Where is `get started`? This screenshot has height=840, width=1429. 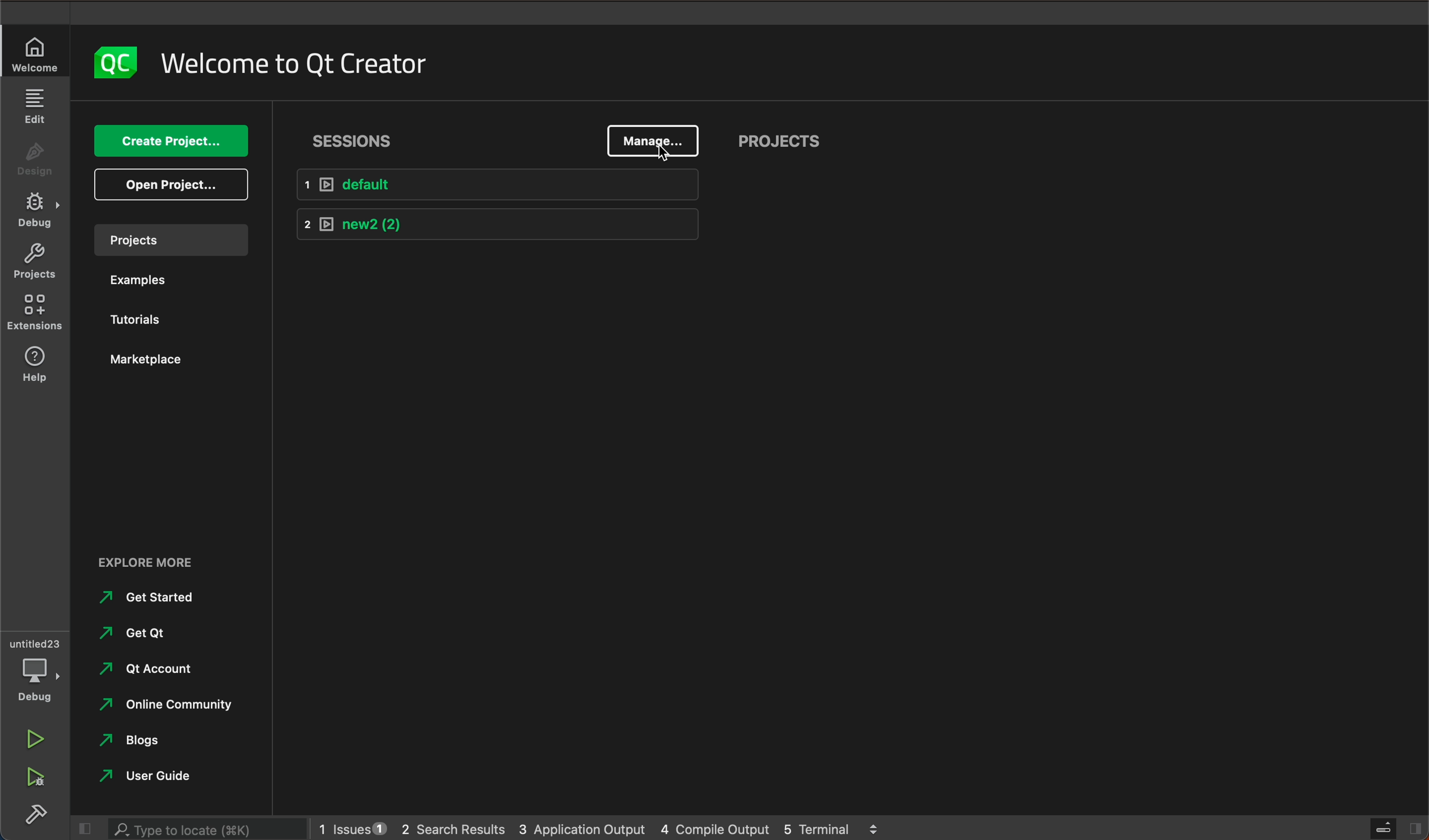 get started is located at coordinates (150, 601).